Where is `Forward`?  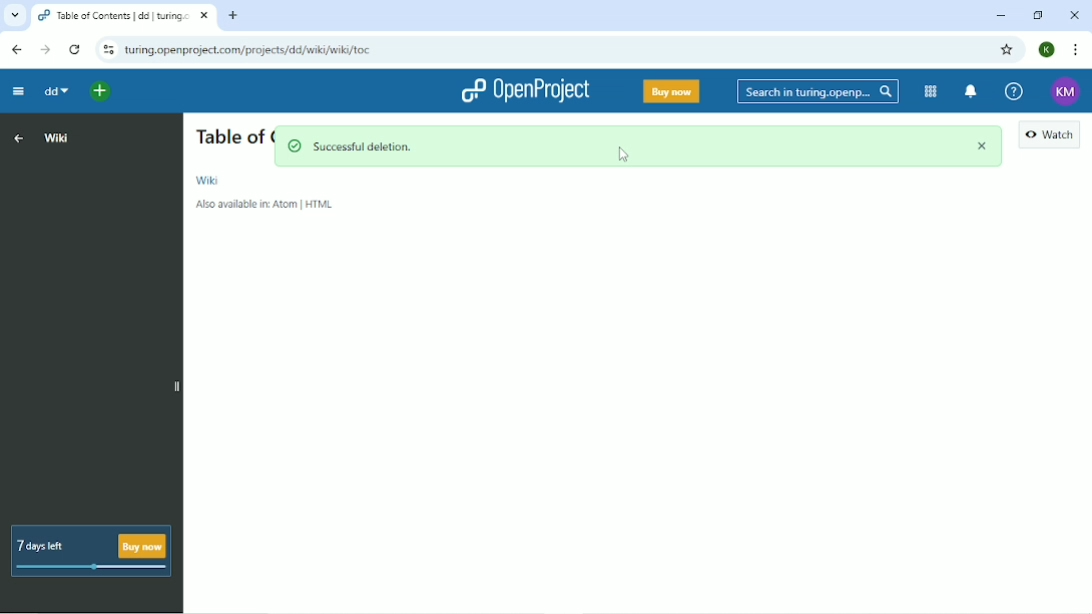
Forward is located at coordinates (45, 50).